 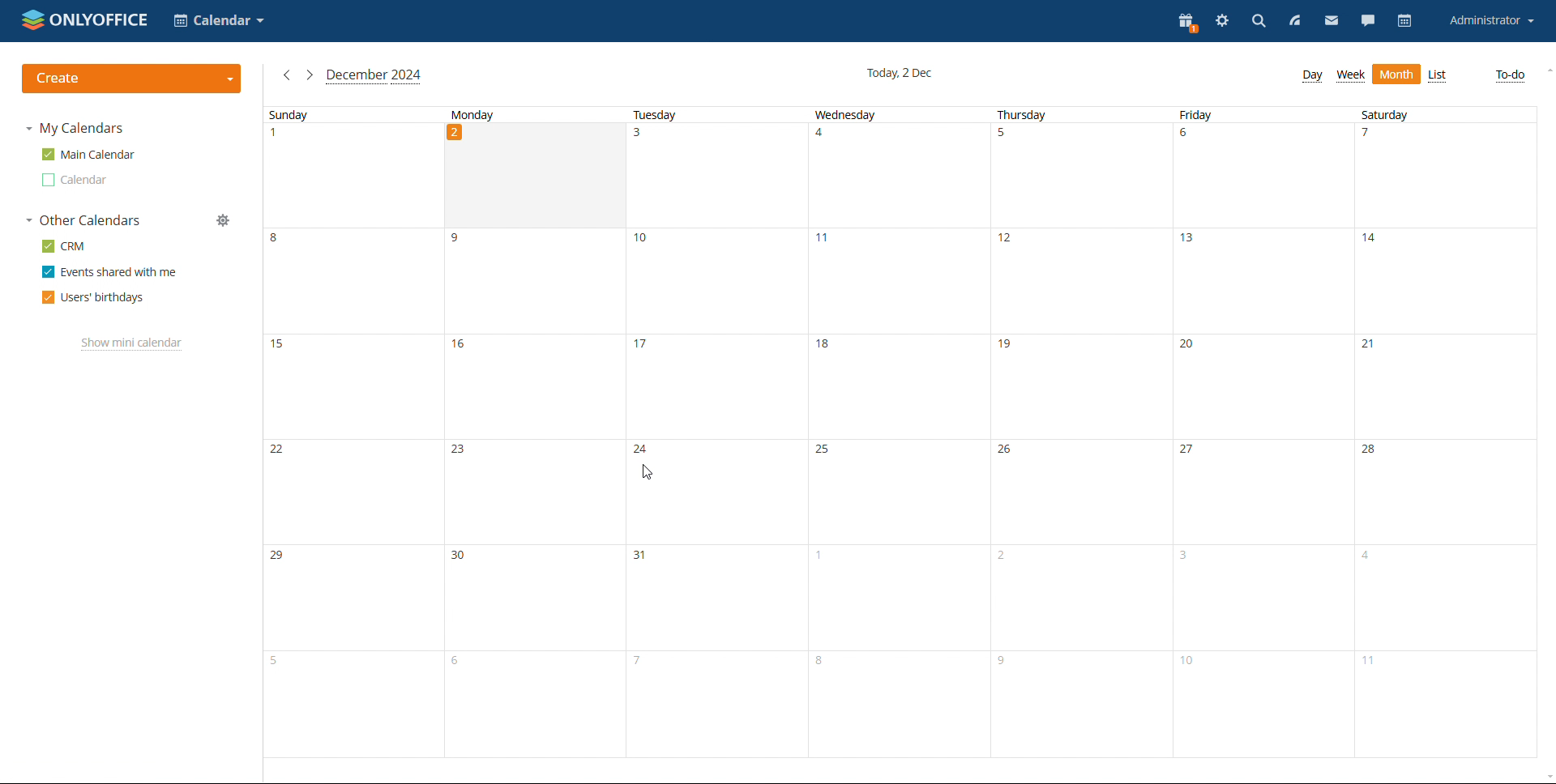 What do you see at coordinates (83, 220) in the screenshot?
I see `other calendars` at bounding box center [83, 220].